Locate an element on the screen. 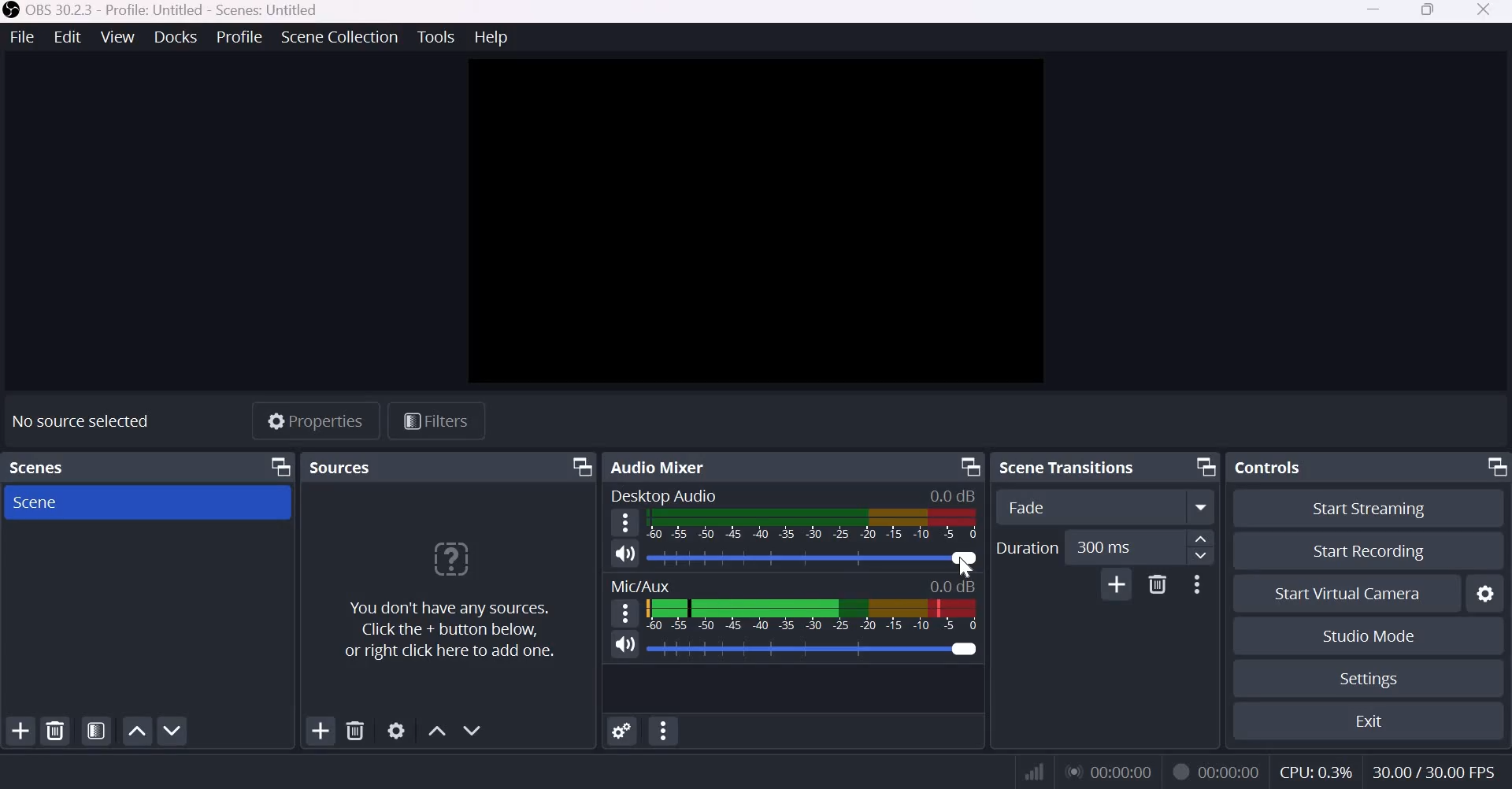 The width and height of the screenshot is (1512, 789). Dock Options icon is located at coordinates (968, 469).